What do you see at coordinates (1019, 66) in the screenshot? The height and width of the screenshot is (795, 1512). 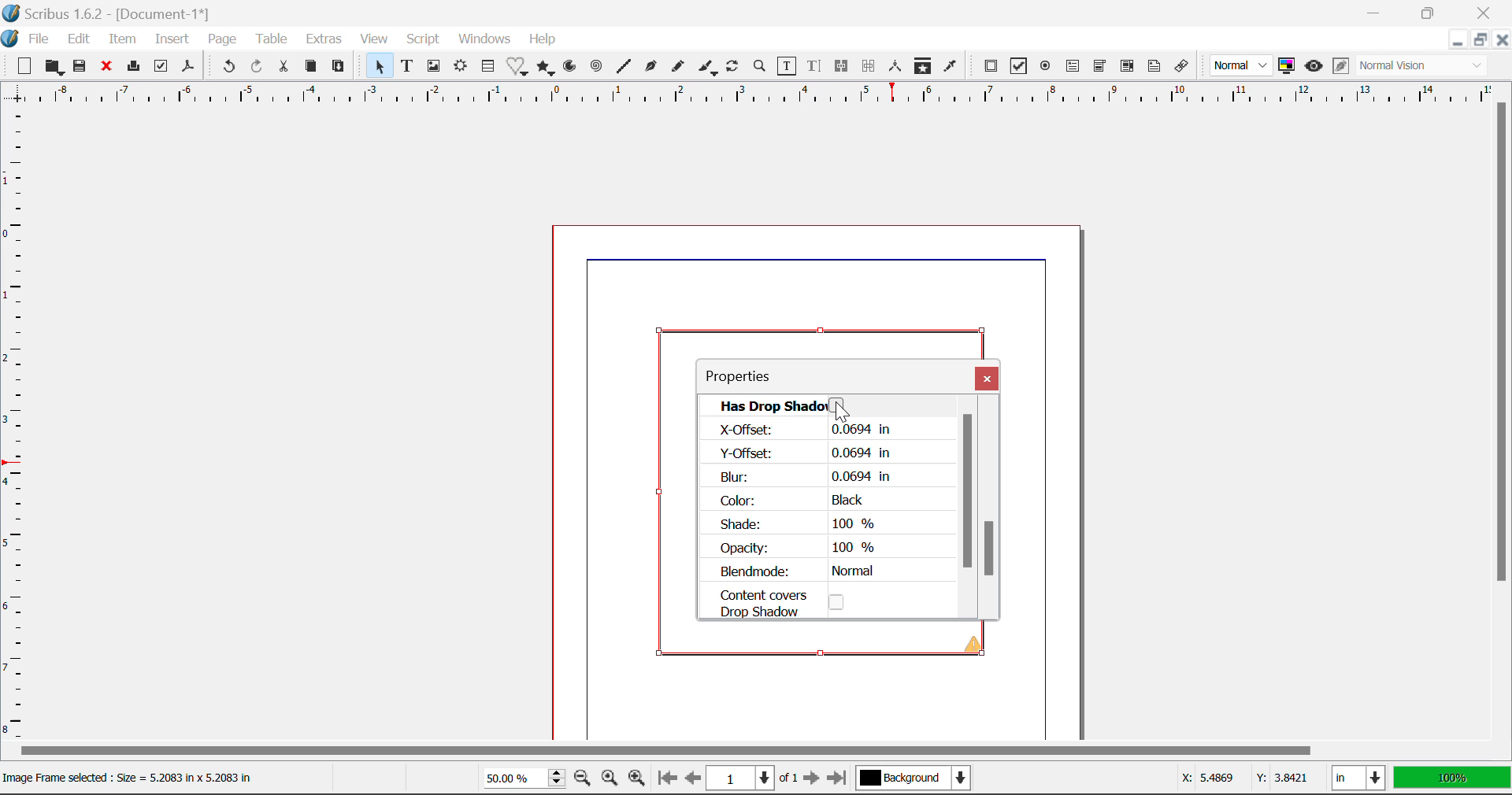 I see `Pdf Checkbox` at bounding box center [1019, 66].